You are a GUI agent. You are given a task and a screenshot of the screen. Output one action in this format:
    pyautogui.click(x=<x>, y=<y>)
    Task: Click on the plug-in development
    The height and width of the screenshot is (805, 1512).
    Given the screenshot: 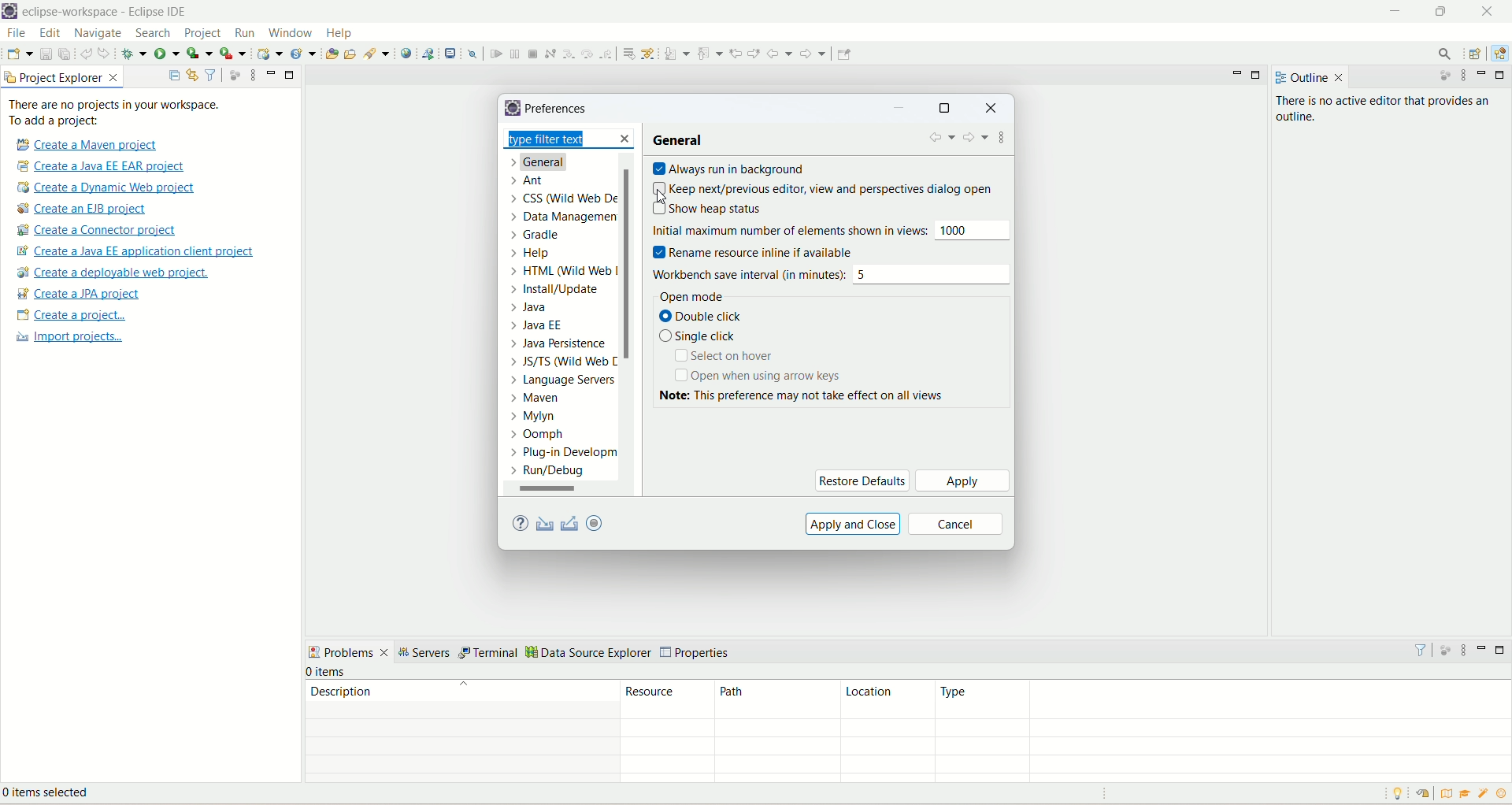 What is the action you would take?
    pyautogui.click(x=564, y=453)
    